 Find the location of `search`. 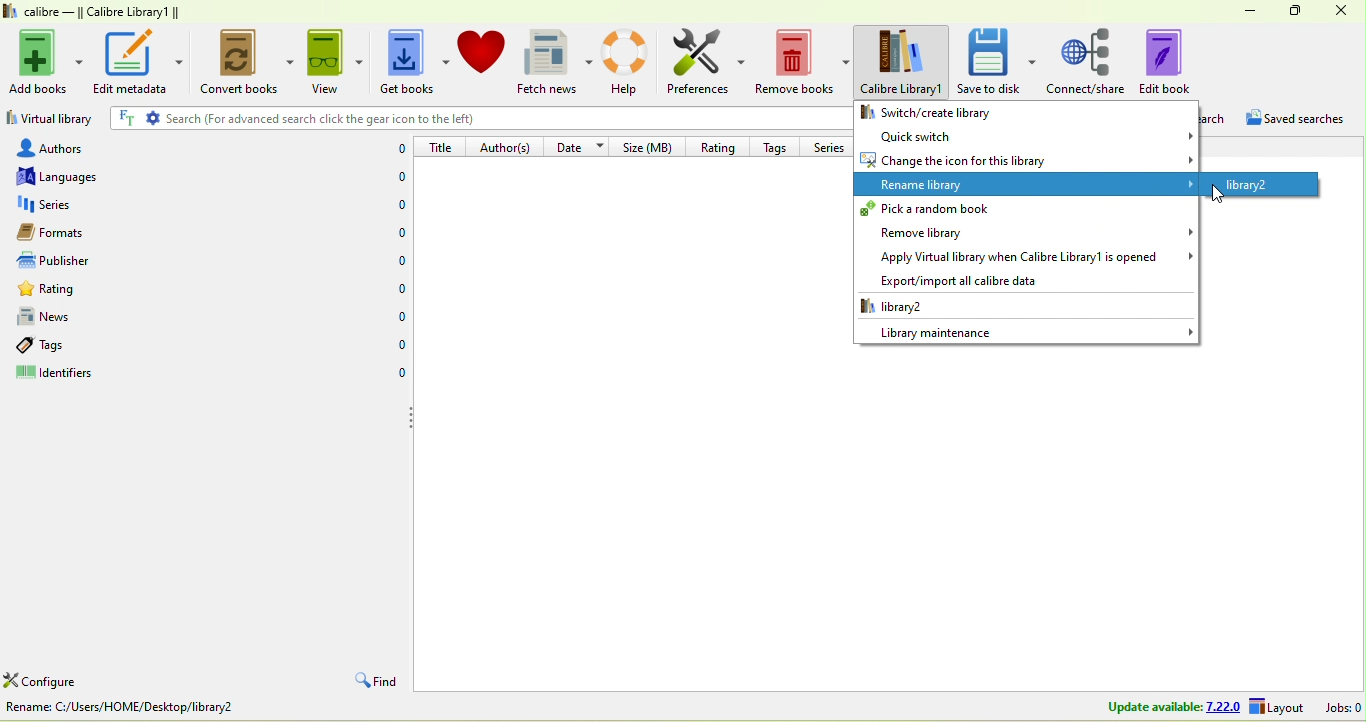

search is located at coordinates (1217, 120).